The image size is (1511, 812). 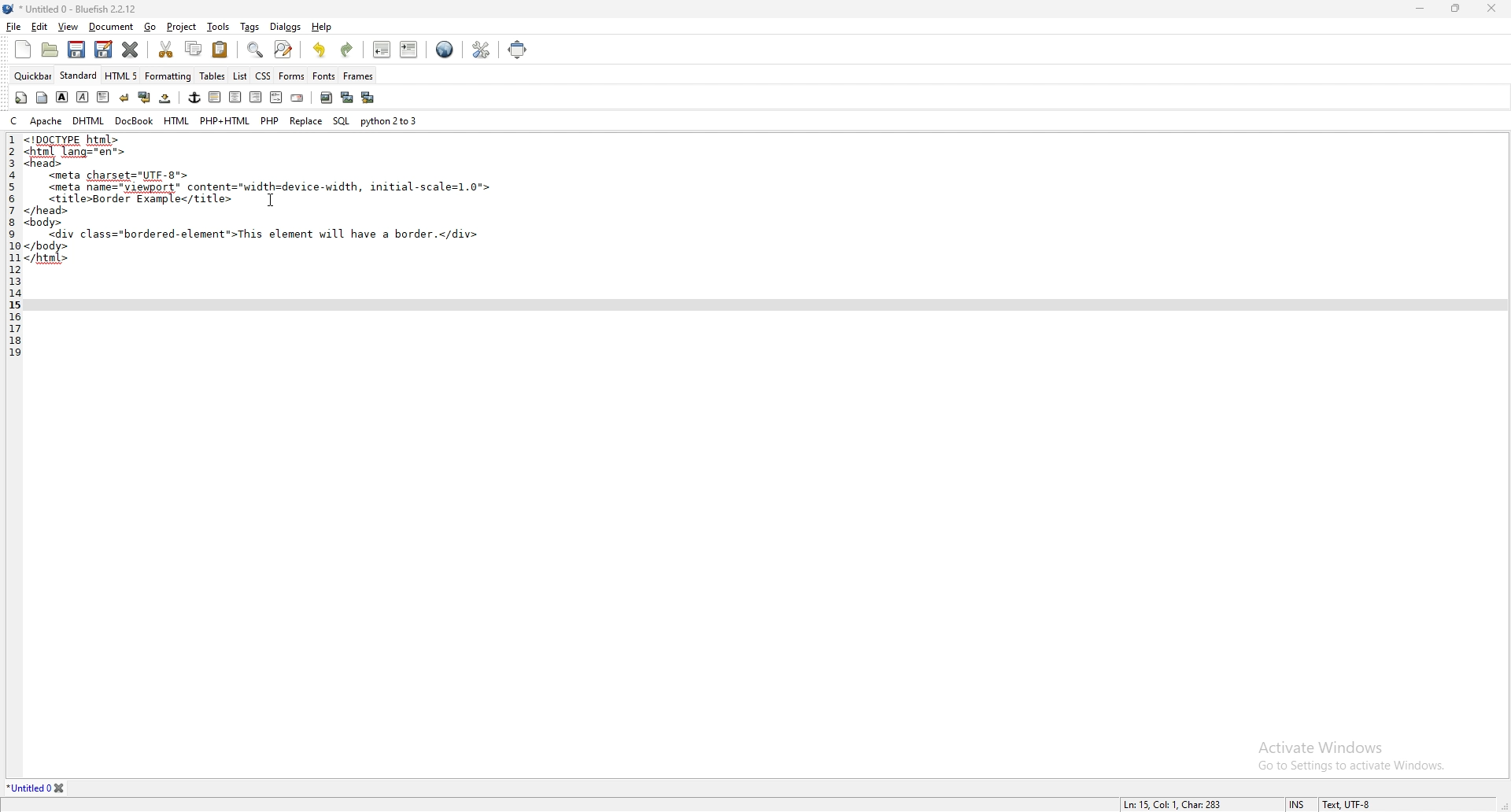 What do you see at coordinates (22, 50) in the screenshot?
I see `new` at bounding box center [22, 50].